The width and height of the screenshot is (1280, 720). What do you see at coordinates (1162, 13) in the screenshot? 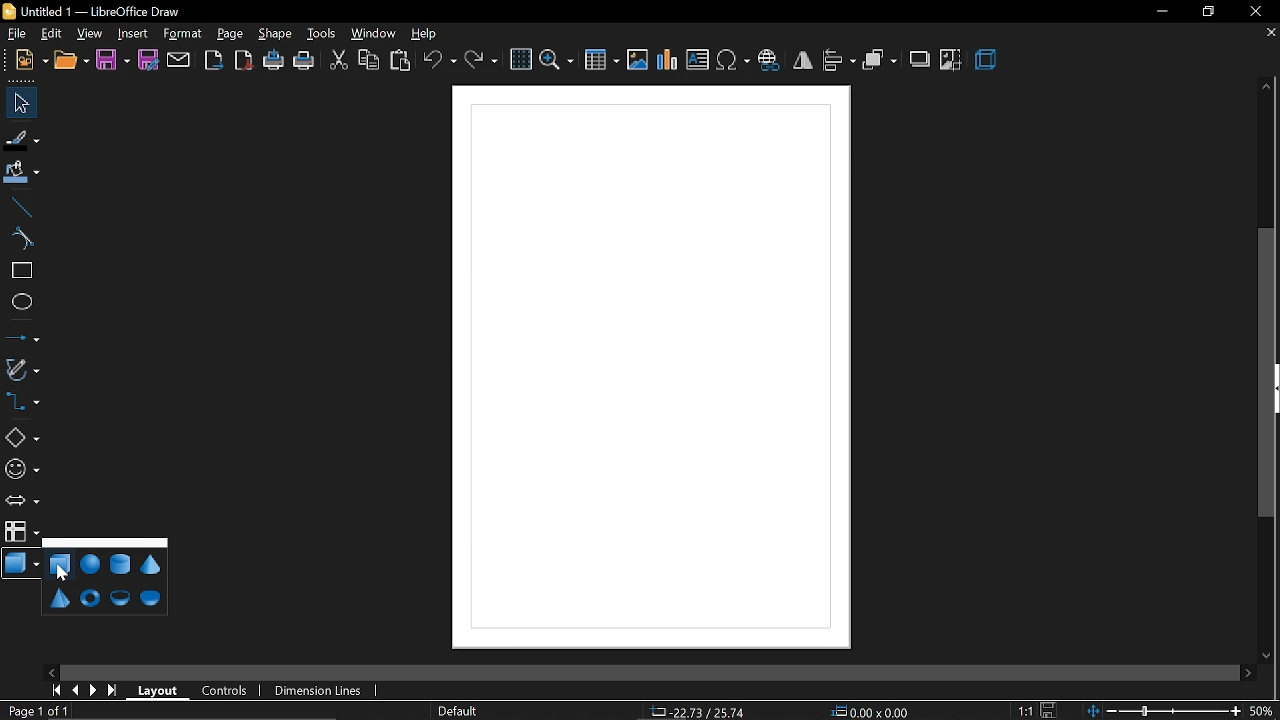
I see `minimize` at bounding box center [1162, 13].